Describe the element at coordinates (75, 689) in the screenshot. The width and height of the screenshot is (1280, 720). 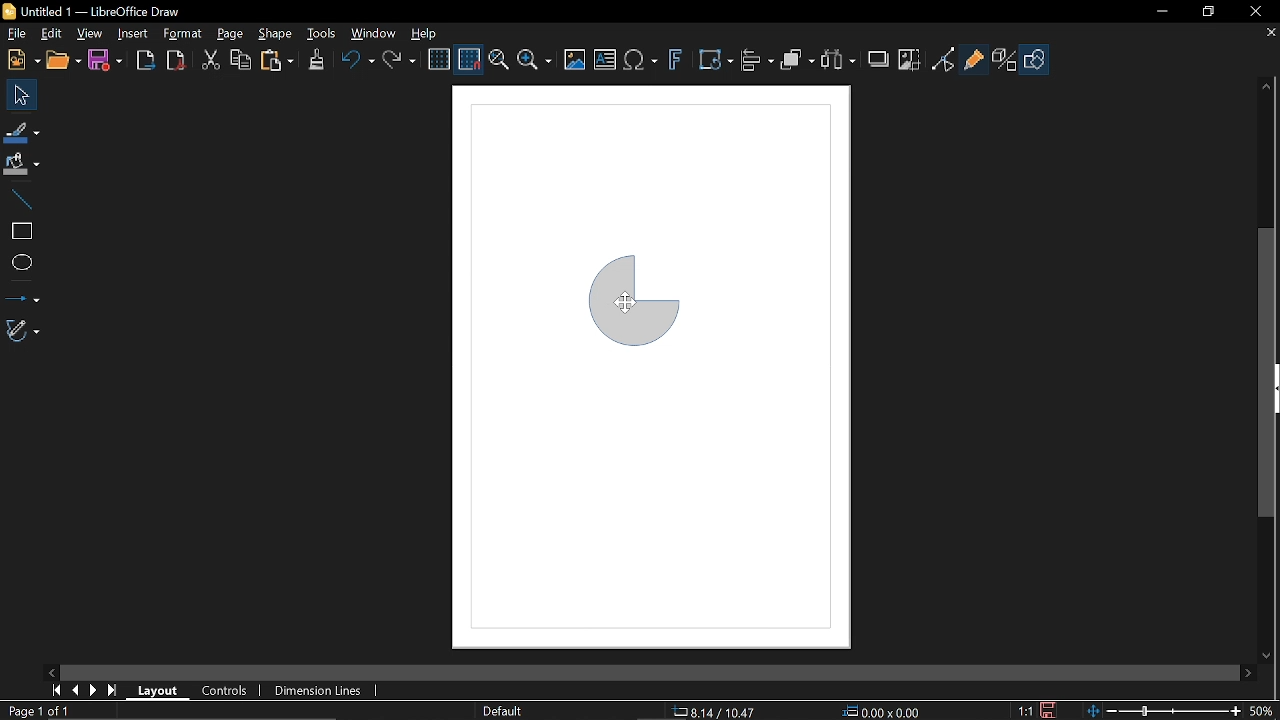
I see `Previous page` at that location.